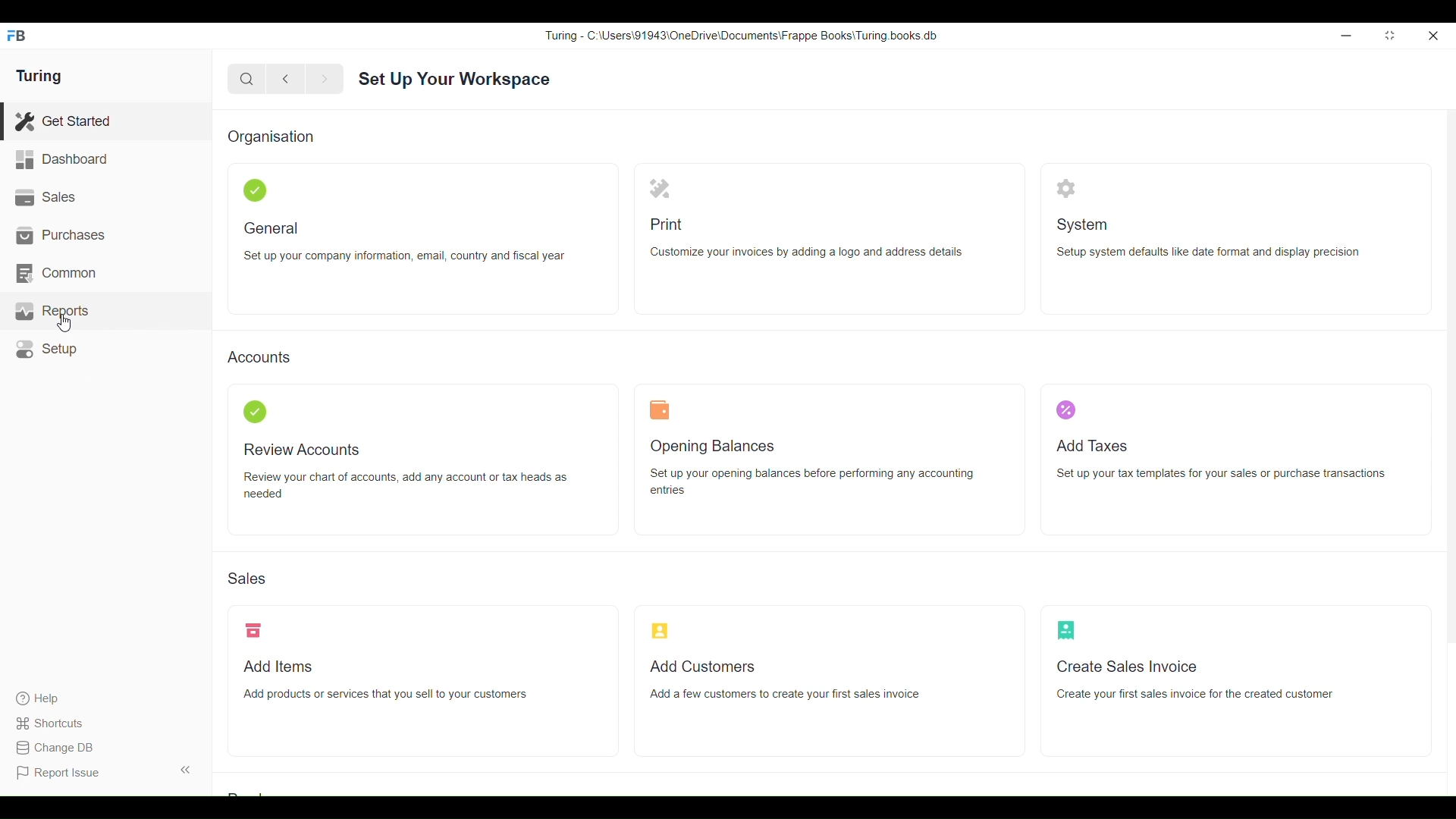 The width and height of the screenshot is (1456, 819). I want to click on Shortcuts, so click(52, 723).